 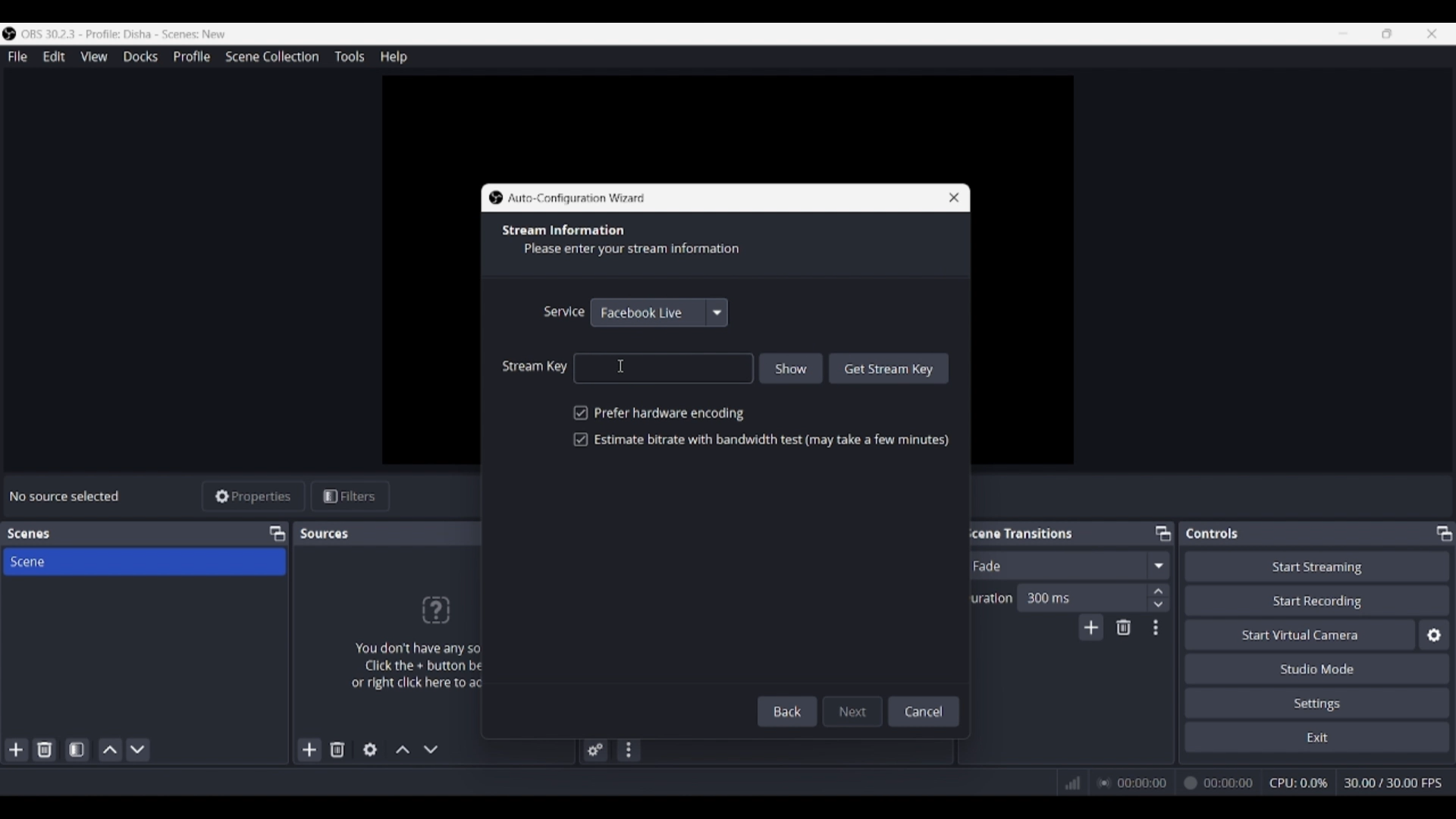 What do you see at coordinates (790, 711) in the screenshot?
I see `Back` at bounding box center [790, 711].